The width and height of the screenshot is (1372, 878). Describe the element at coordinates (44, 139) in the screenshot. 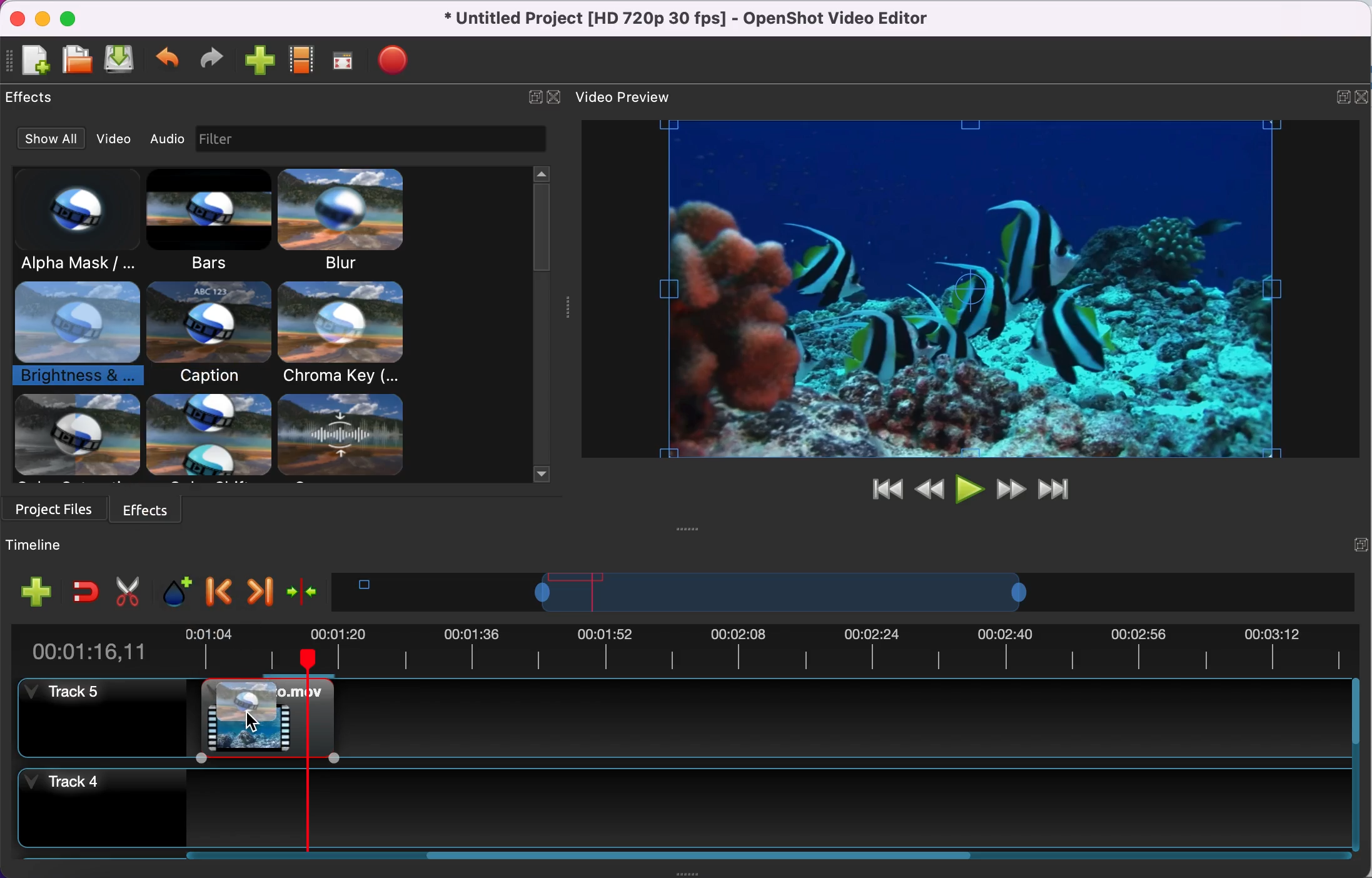

I see `show all` at that location.